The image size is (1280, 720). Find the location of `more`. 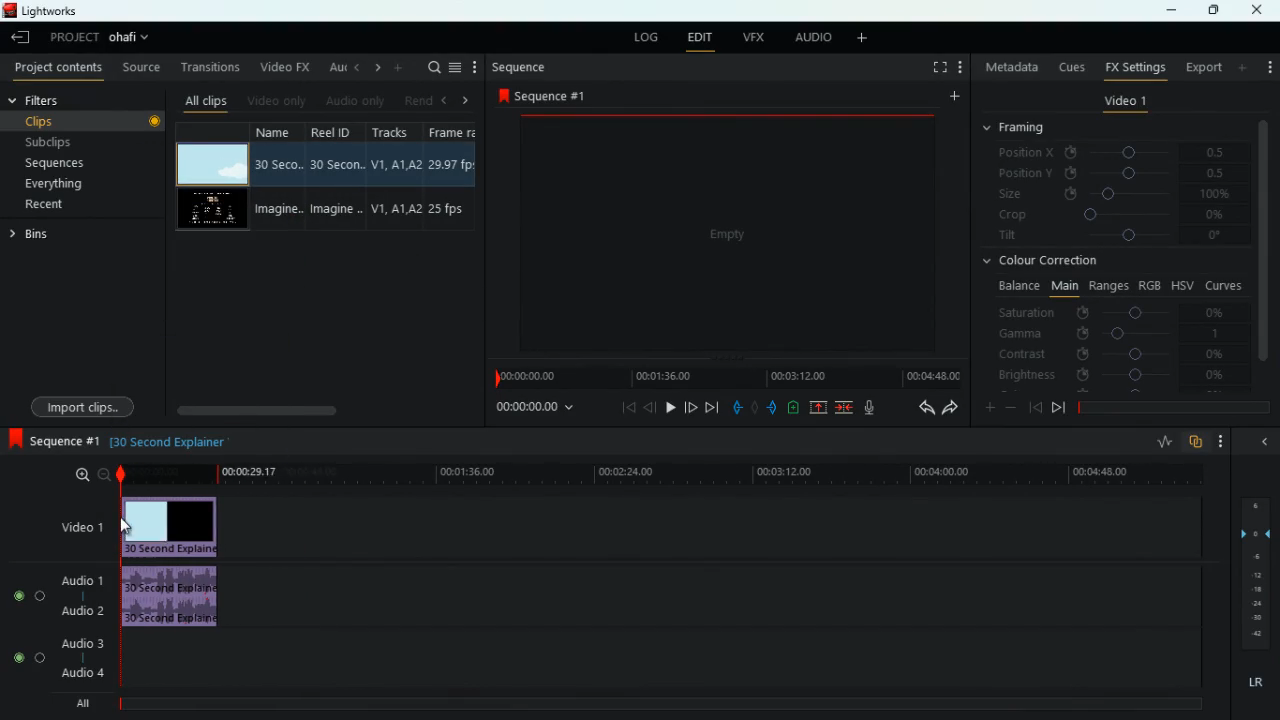

more is located at coordinates (477, 66).